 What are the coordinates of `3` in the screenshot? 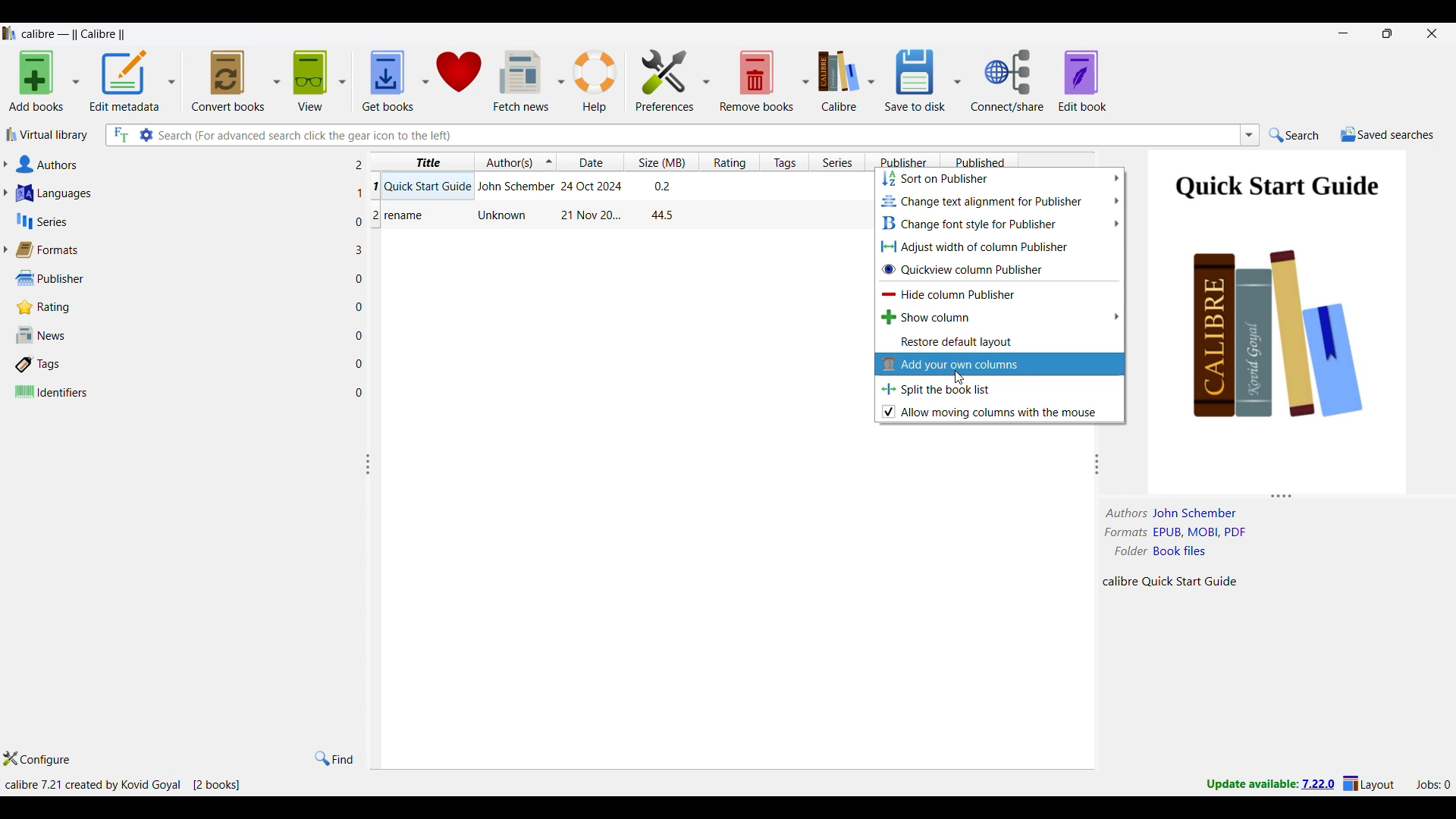 It's located at (362, 249).